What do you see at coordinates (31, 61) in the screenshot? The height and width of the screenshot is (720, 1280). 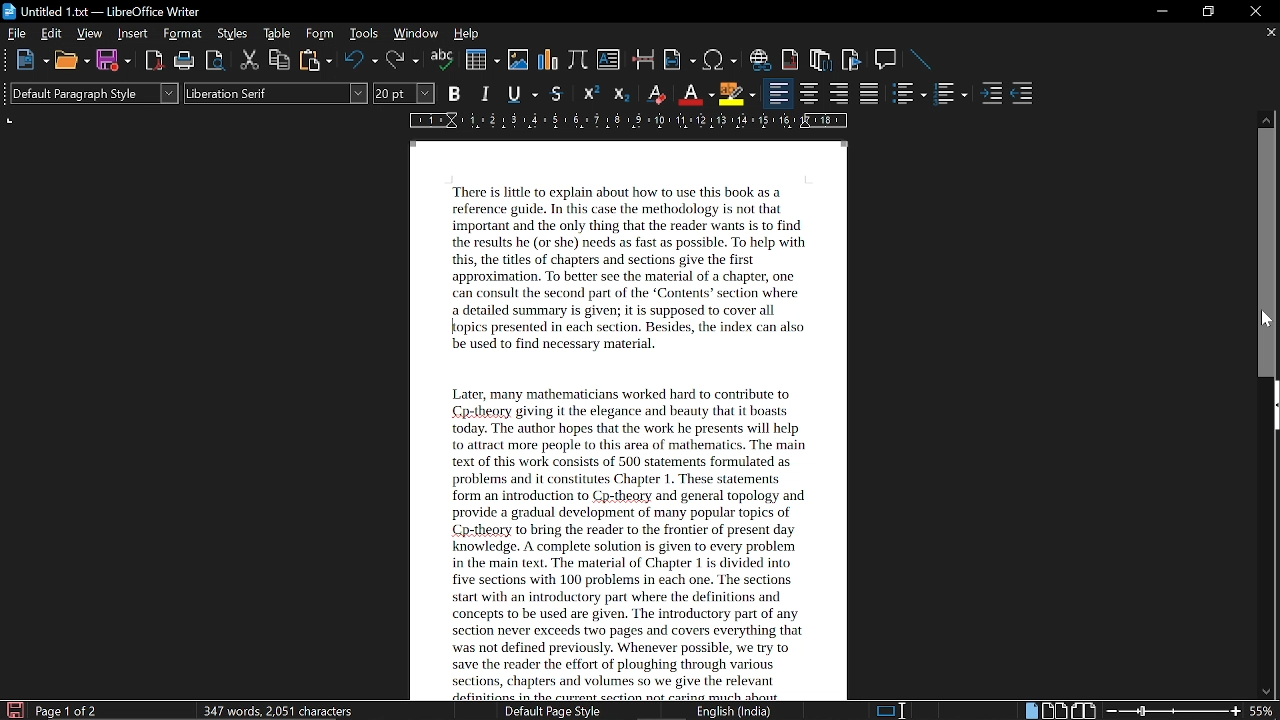 I see `new` at bounding box center [31, 61].